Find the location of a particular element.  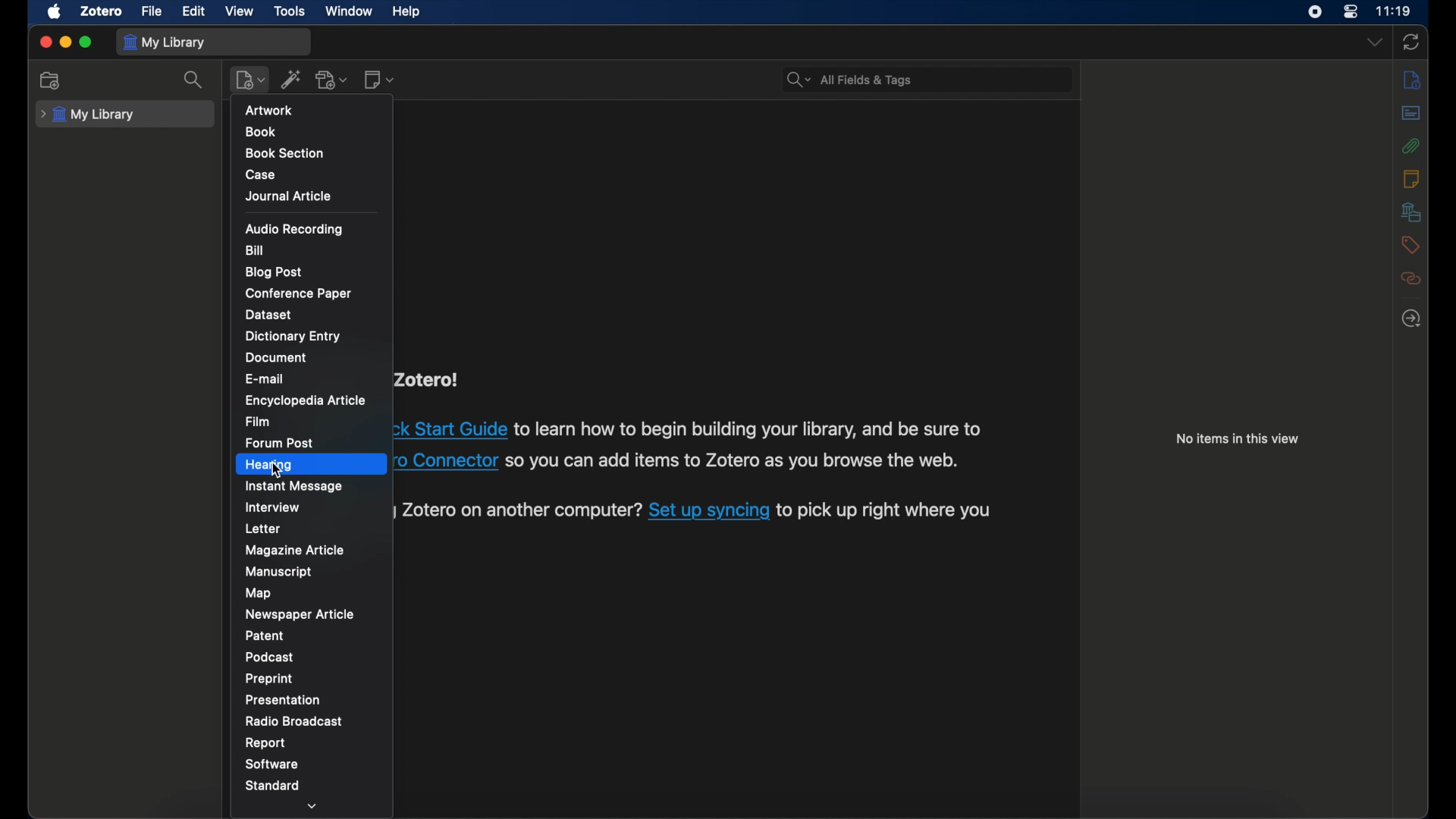

document is located at coordinates (278, 358).